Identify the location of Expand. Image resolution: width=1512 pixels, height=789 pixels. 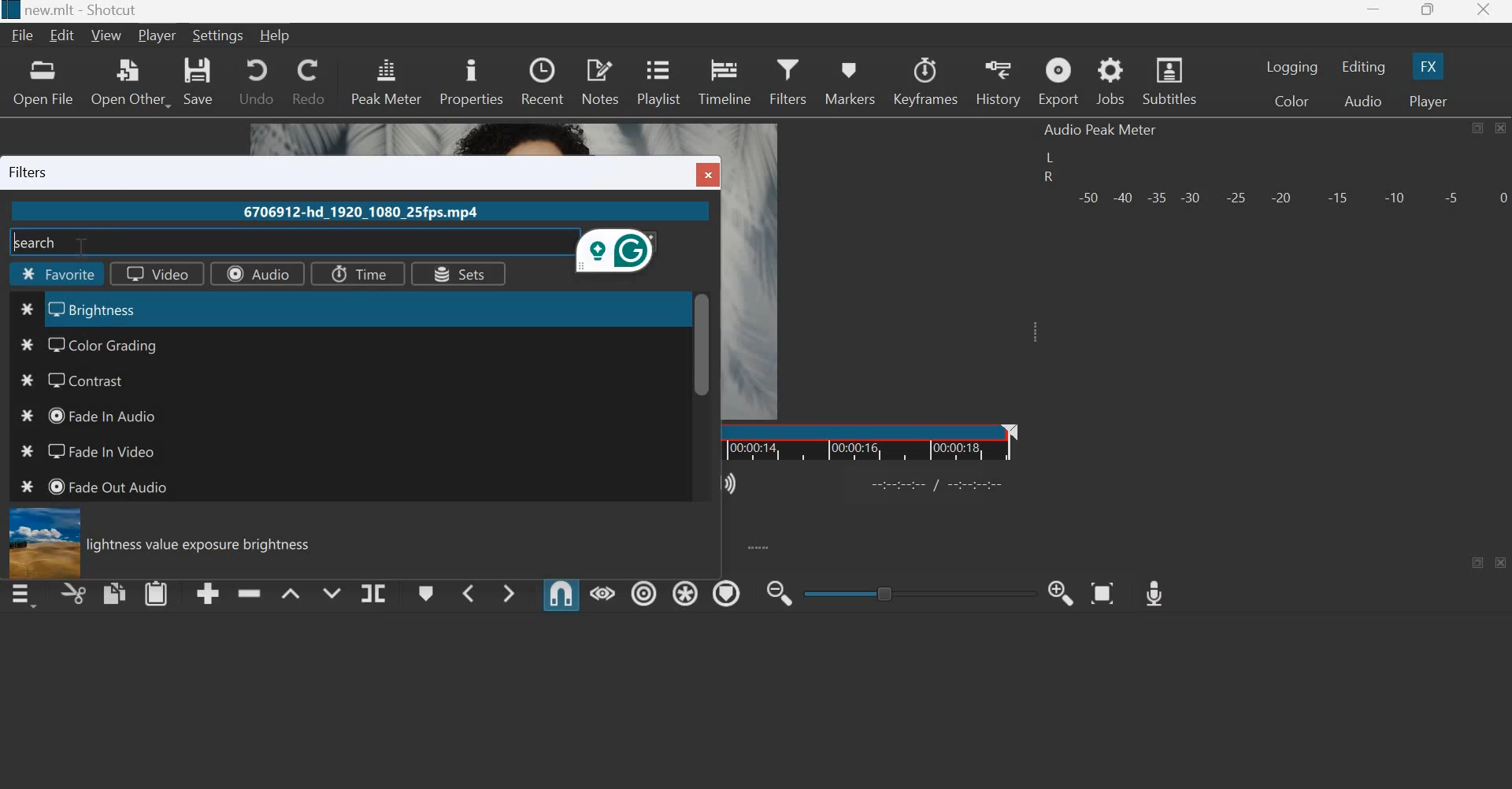
(1032, 332).